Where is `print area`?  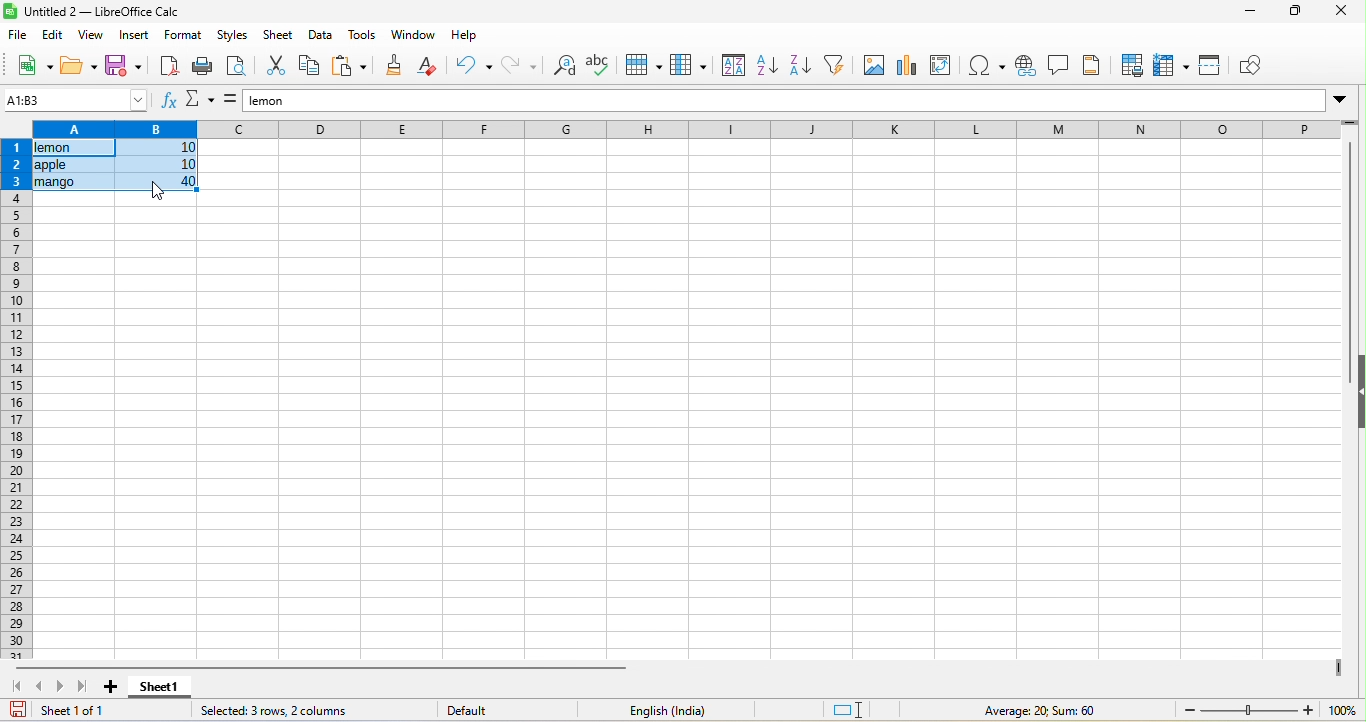 print area is located at coordinates (1132, 66).